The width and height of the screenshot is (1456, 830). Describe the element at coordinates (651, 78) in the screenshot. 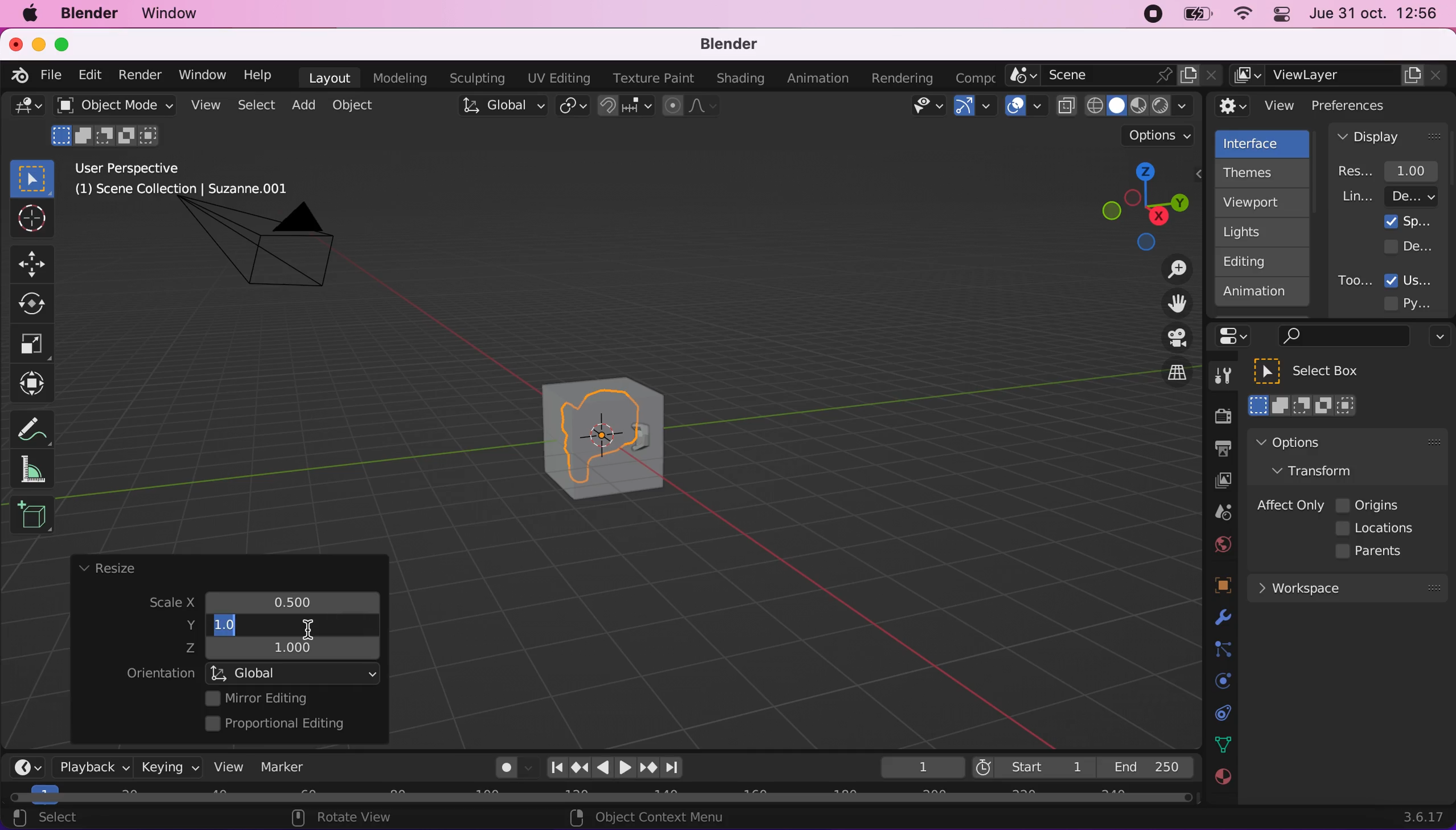

I see `texture paint` at that location.